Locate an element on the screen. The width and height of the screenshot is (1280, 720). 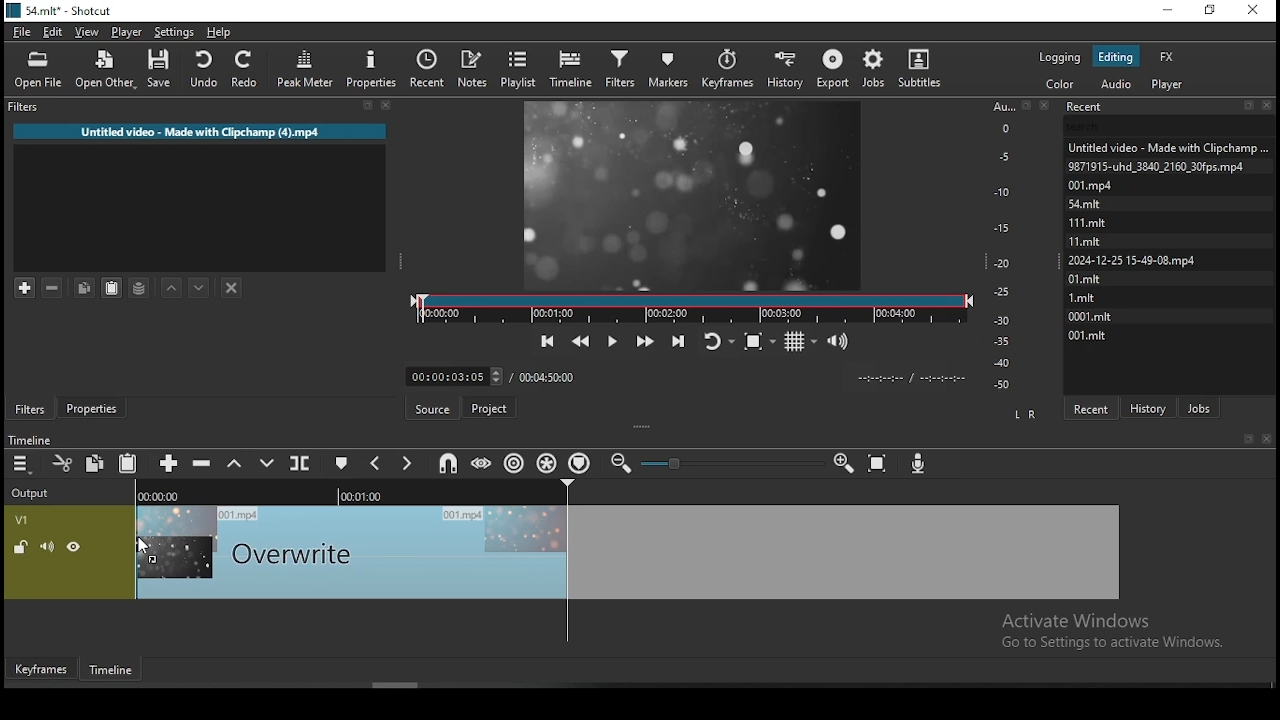
mouse pointer is located at coordinates (146, 545).